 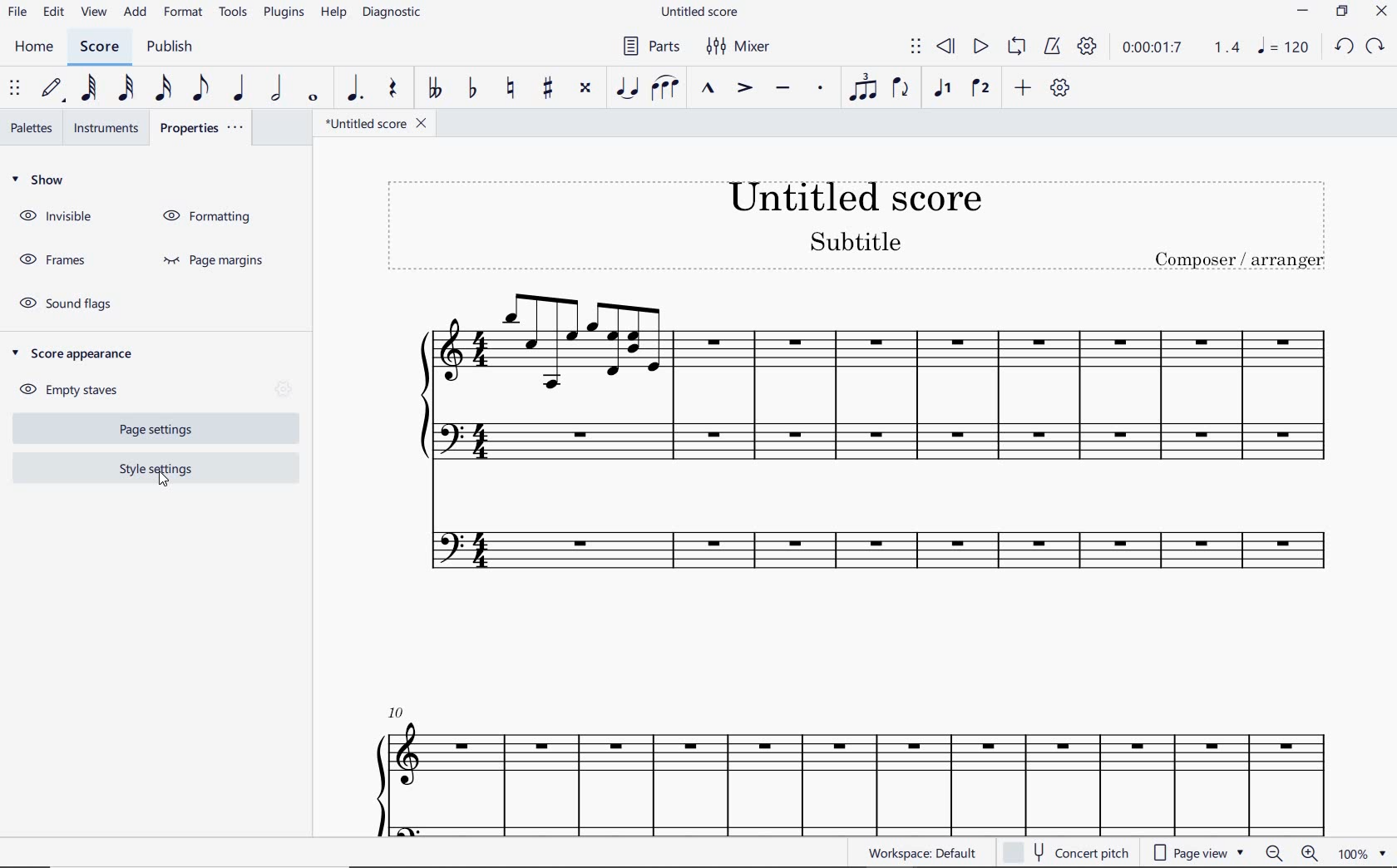 What do you see at coordinates (1360, 853) in the screenshot?
I see `zoom factor` at bounding box center [1360, 853].